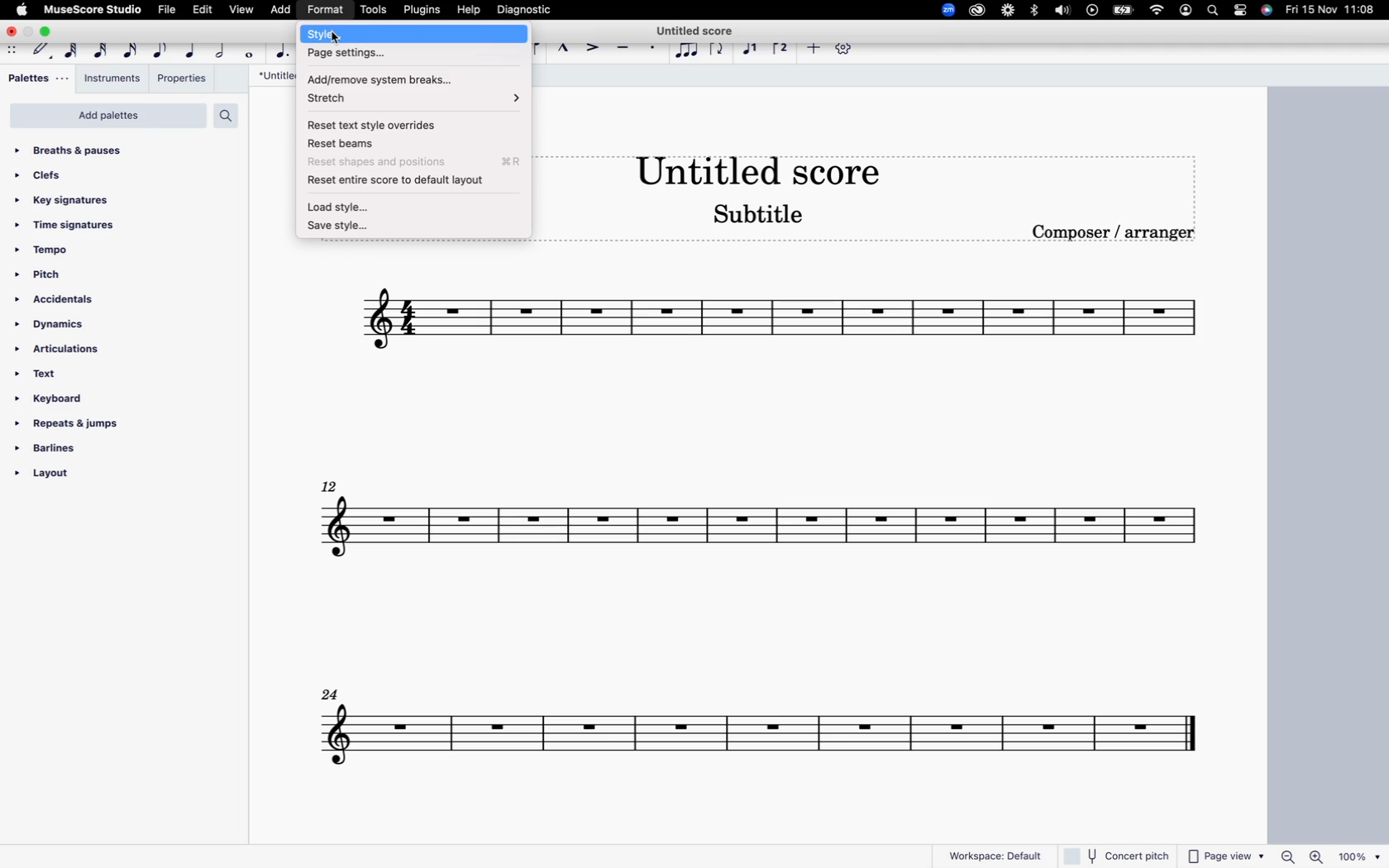  I want to click on marcatto, so click(562, 49).